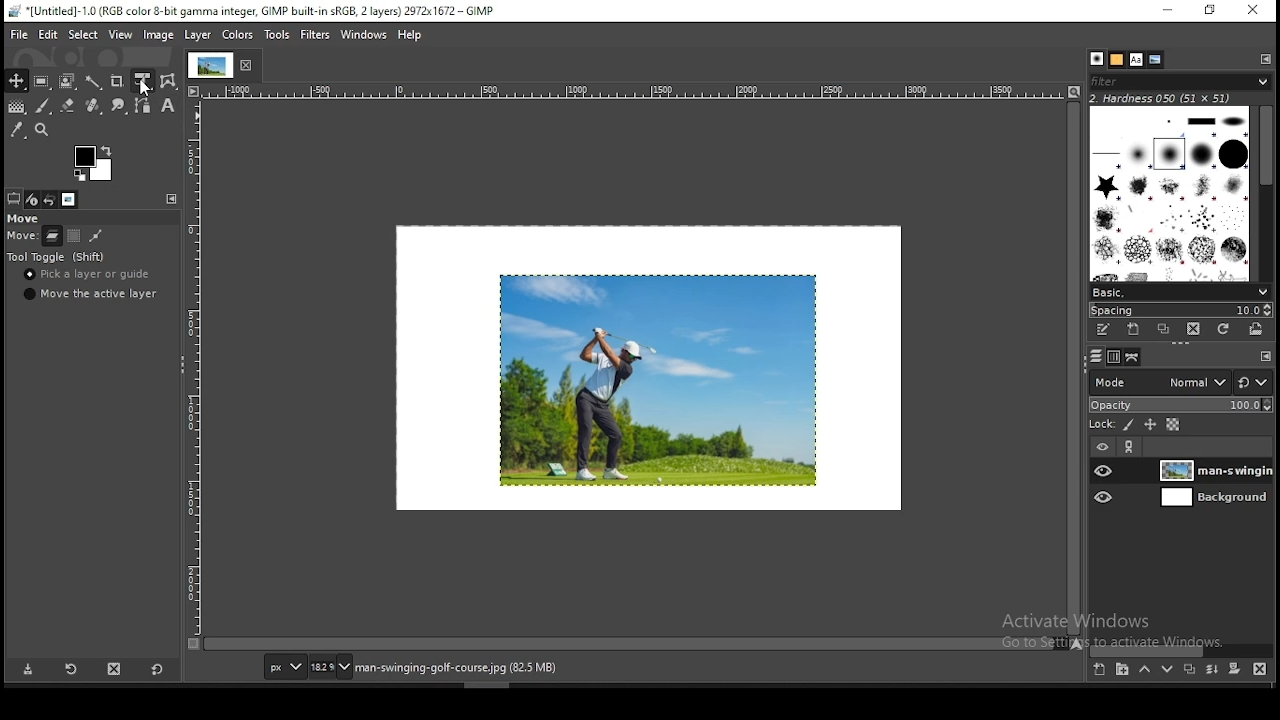 This screenshot has width=1280, height=720. Describe the element at coordinates (1142, 669) in the screenshot. I see `move layer on step up` at that location.